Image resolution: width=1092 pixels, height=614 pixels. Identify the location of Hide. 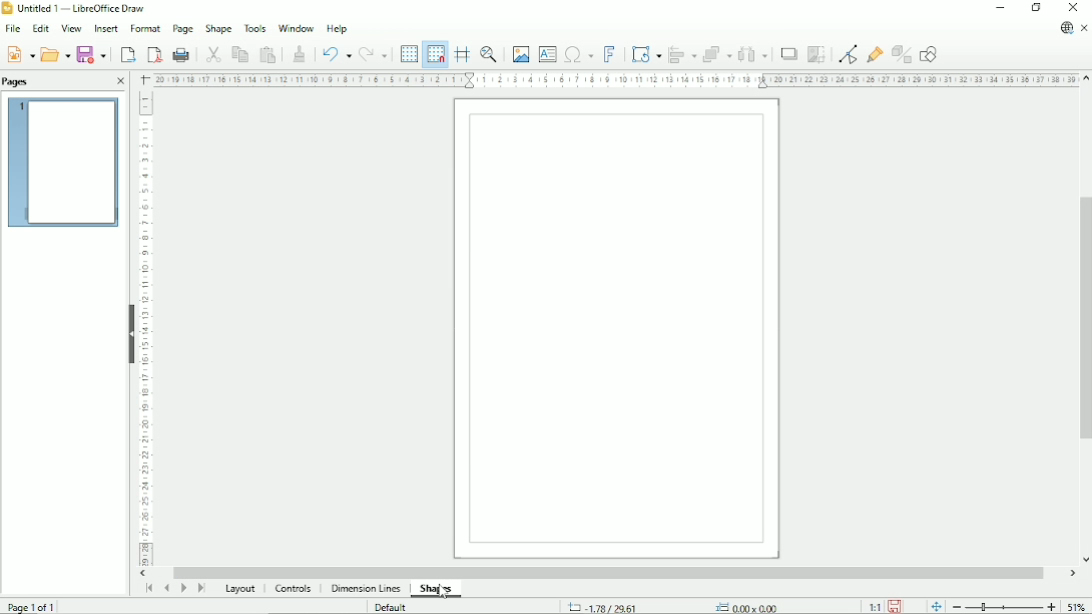
(130, 332).